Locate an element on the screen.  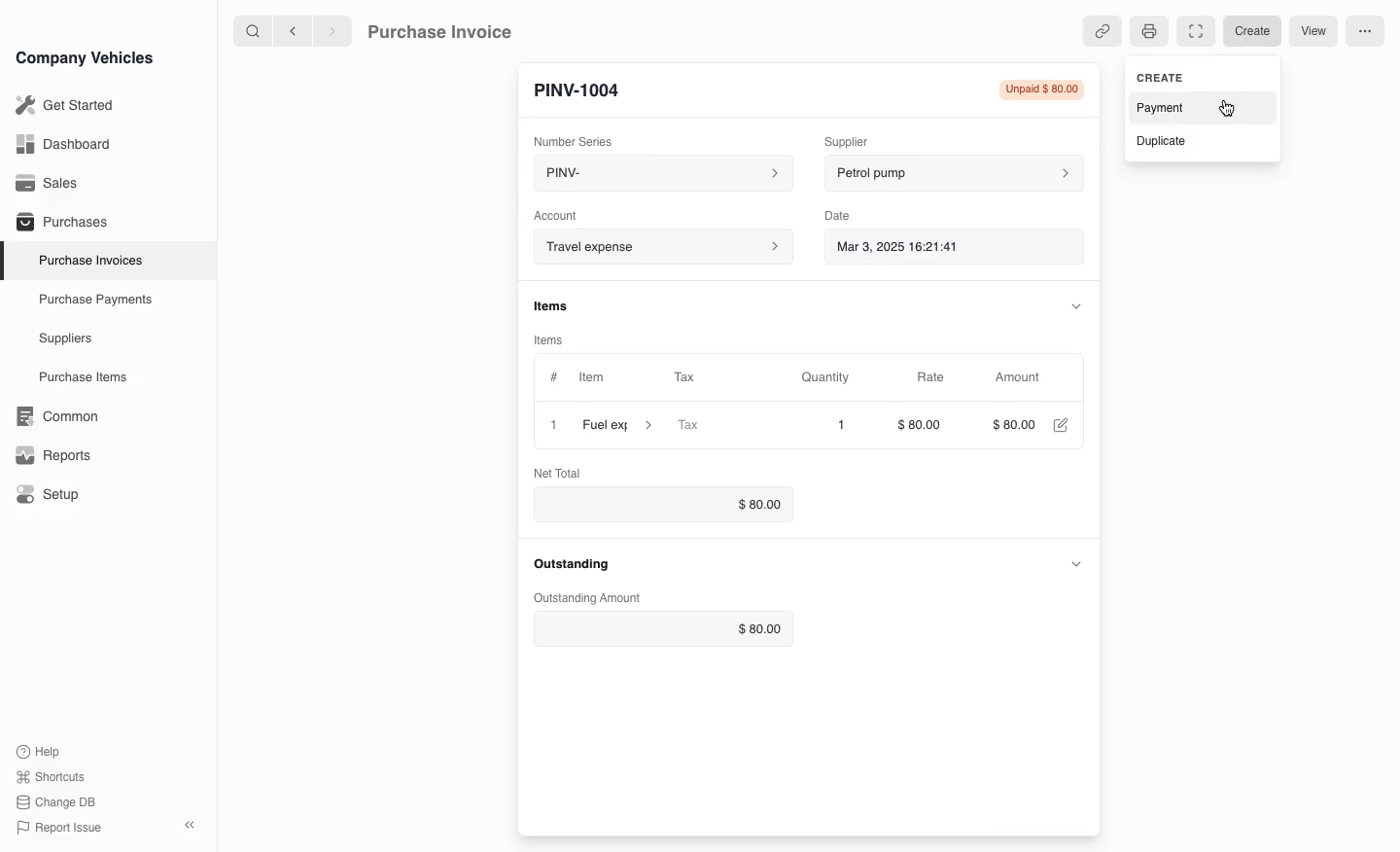
Quantity is located at coordinates (828, 377).